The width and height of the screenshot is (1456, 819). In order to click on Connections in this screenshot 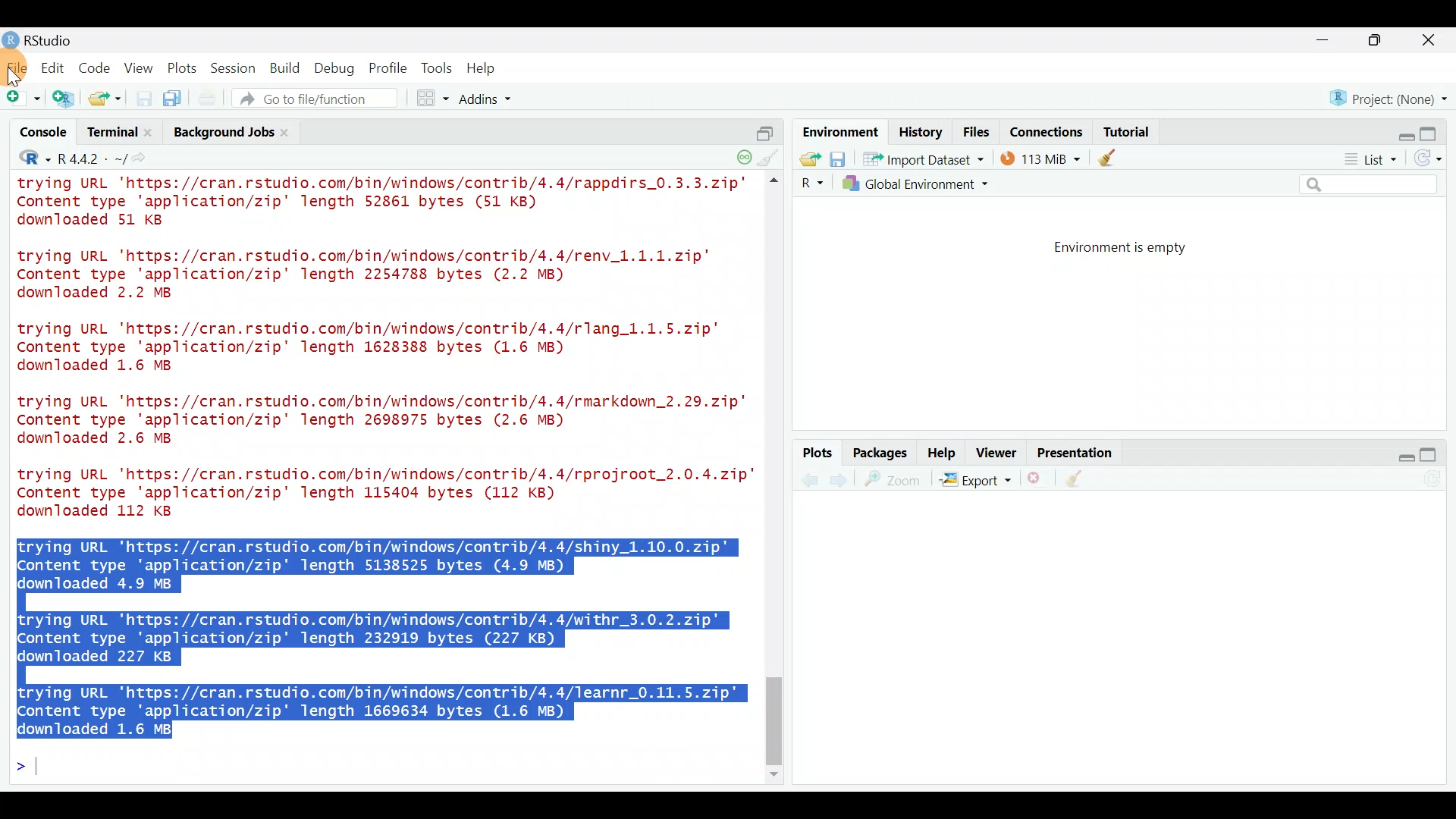, I will do `click(1047, 130)`.